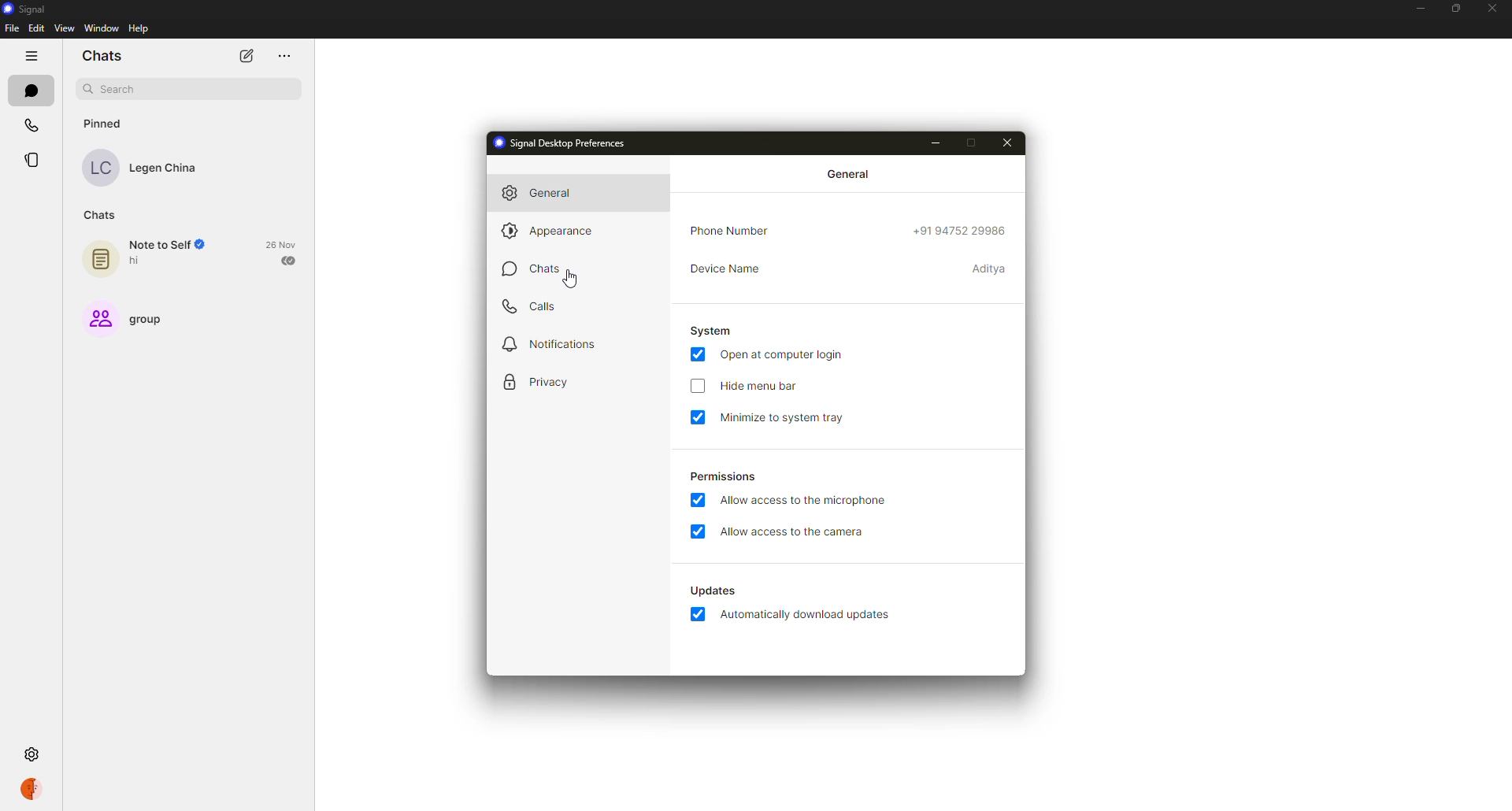 The image size is (1512, 811). I want to click on hide menu bar, so click(761, 387).